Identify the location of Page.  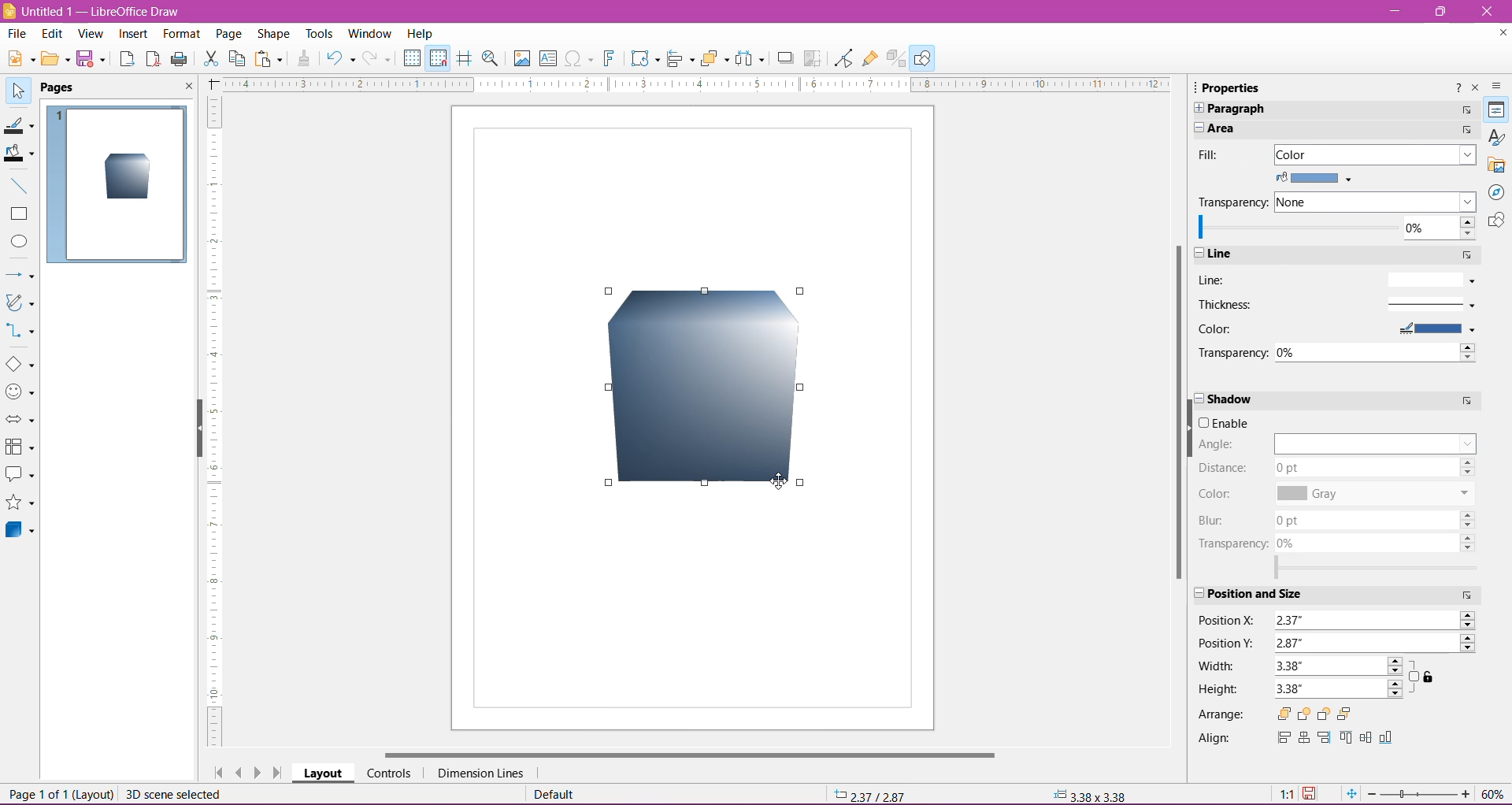
(228, 36).